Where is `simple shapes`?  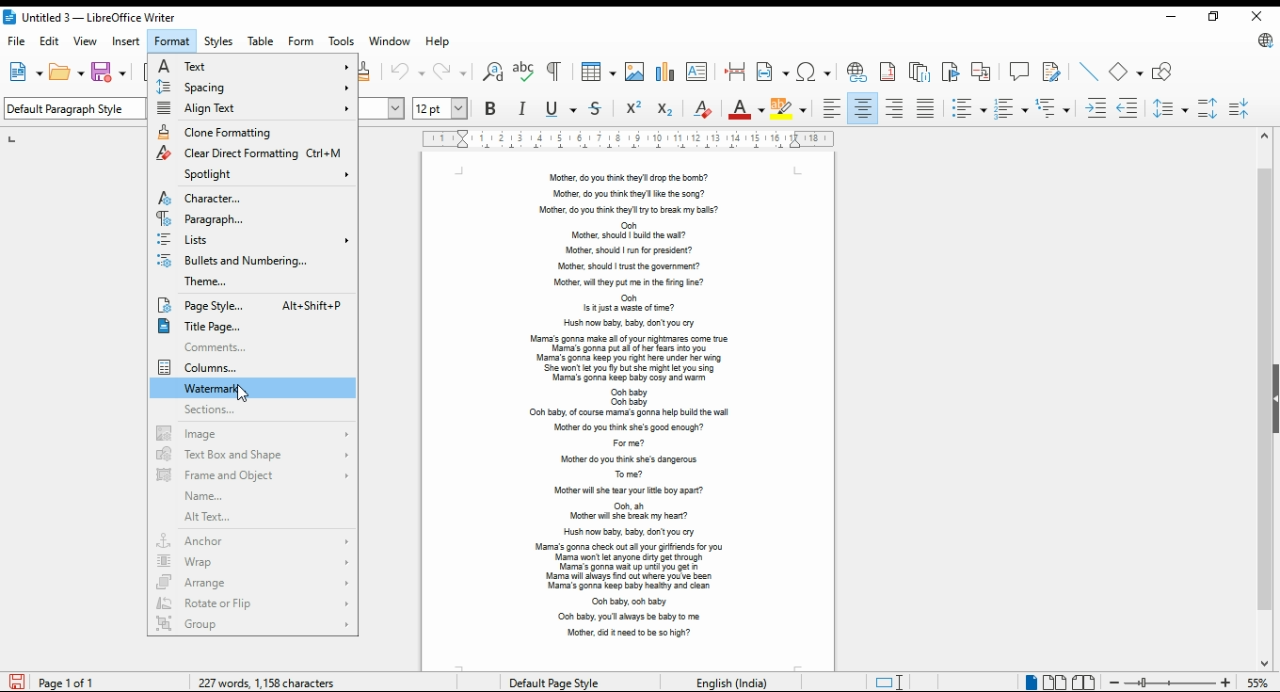 simple shapes is located at coordinates (1125, 72).